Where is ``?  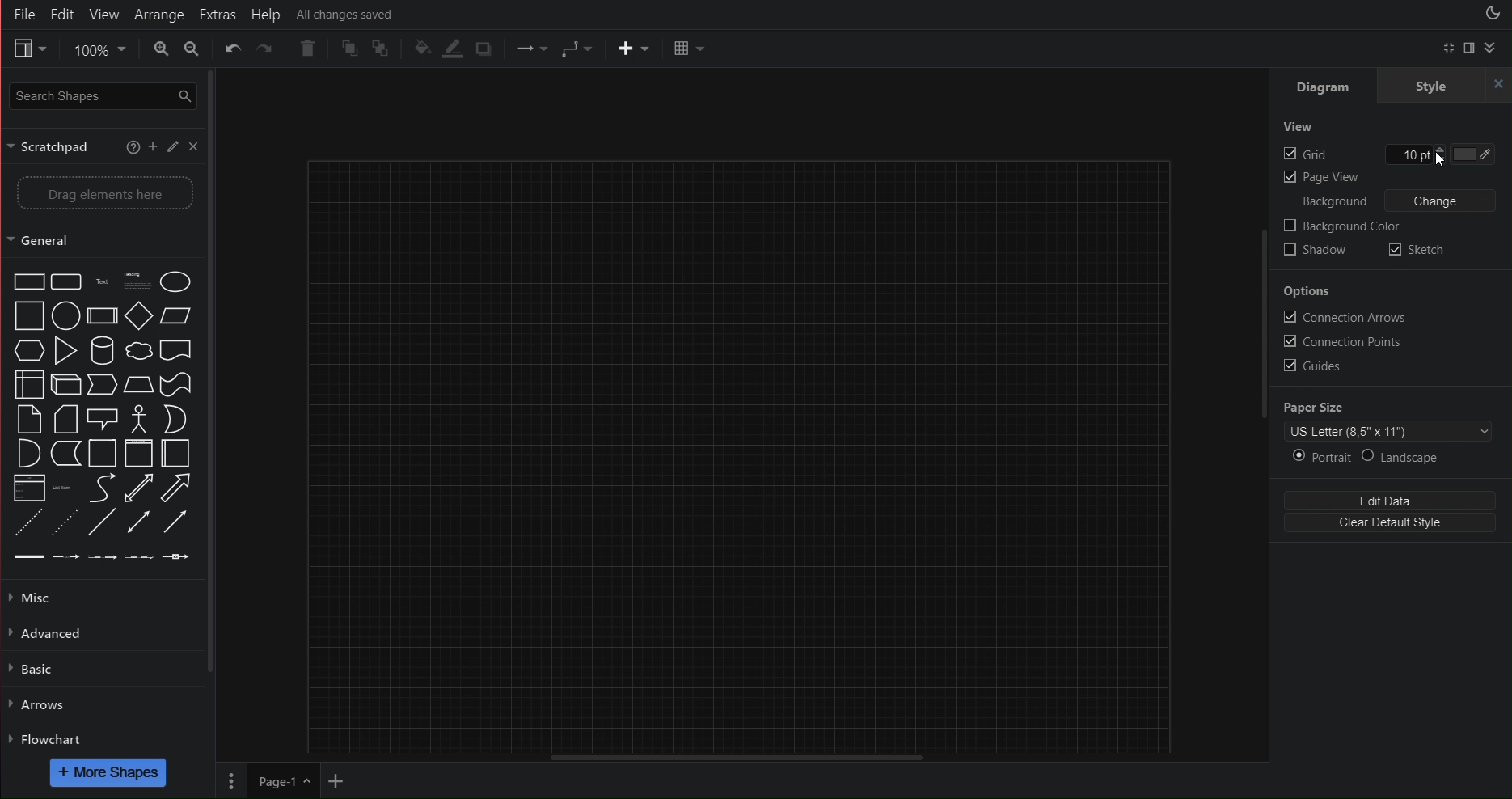  is located at coordinates (177, 378).